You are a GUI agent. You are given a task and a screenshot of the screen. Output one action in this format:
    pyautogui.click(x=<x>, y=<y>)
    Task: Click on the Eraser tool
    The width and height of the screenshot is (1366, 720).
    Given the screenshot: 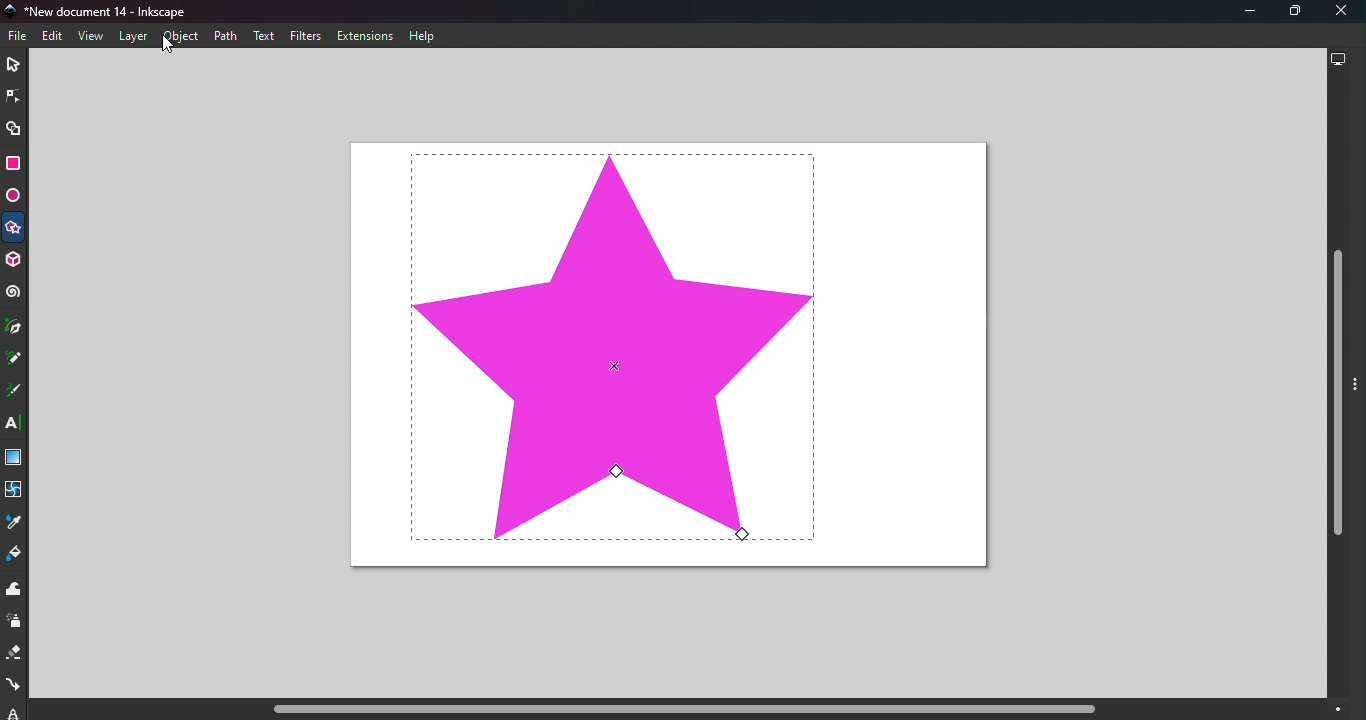 What is the action you would take?
    pyautogui.click(x=13, y=657)
    